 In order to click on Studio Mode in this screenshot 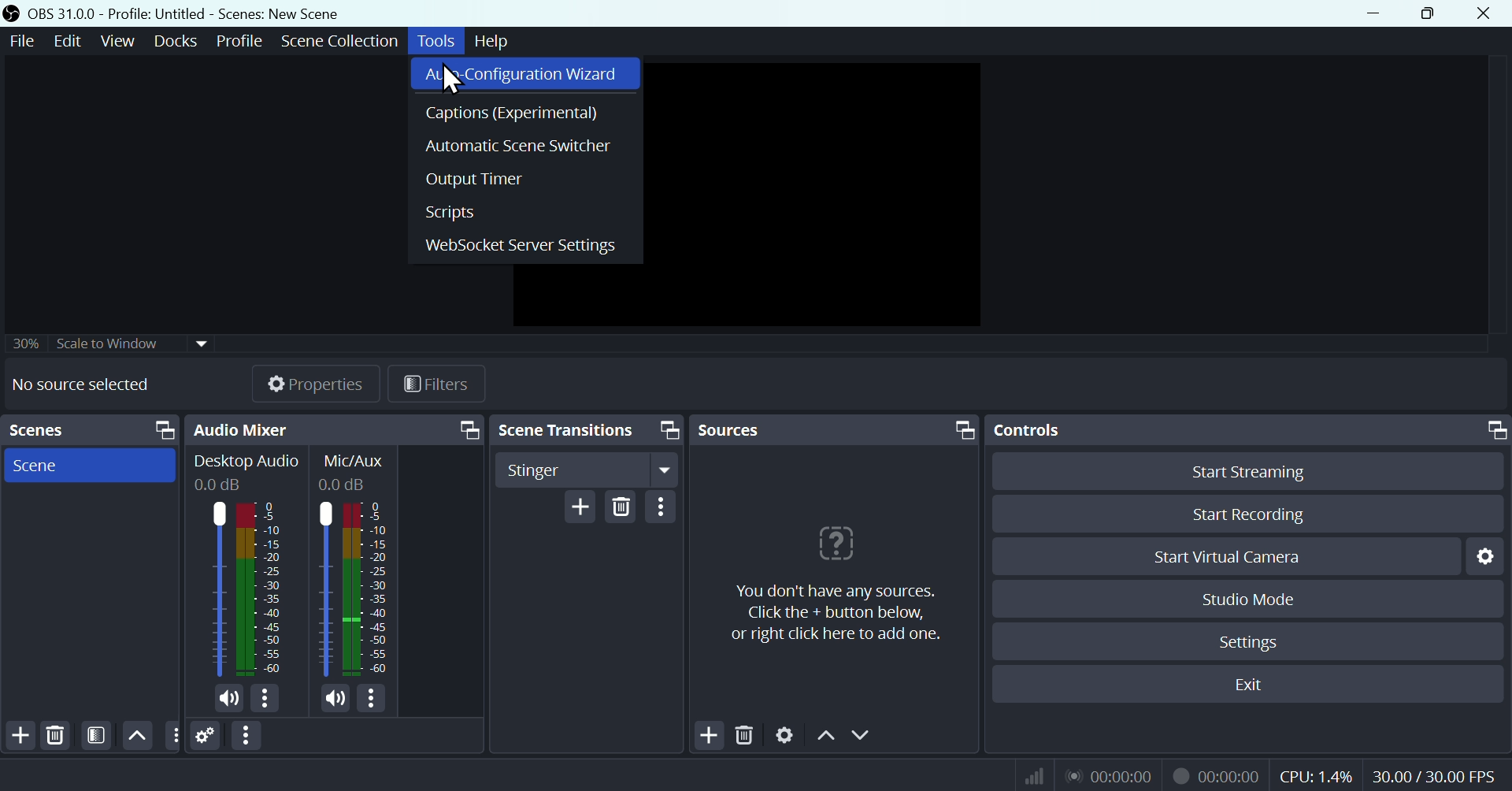, I will do `click(1250, 598)`.